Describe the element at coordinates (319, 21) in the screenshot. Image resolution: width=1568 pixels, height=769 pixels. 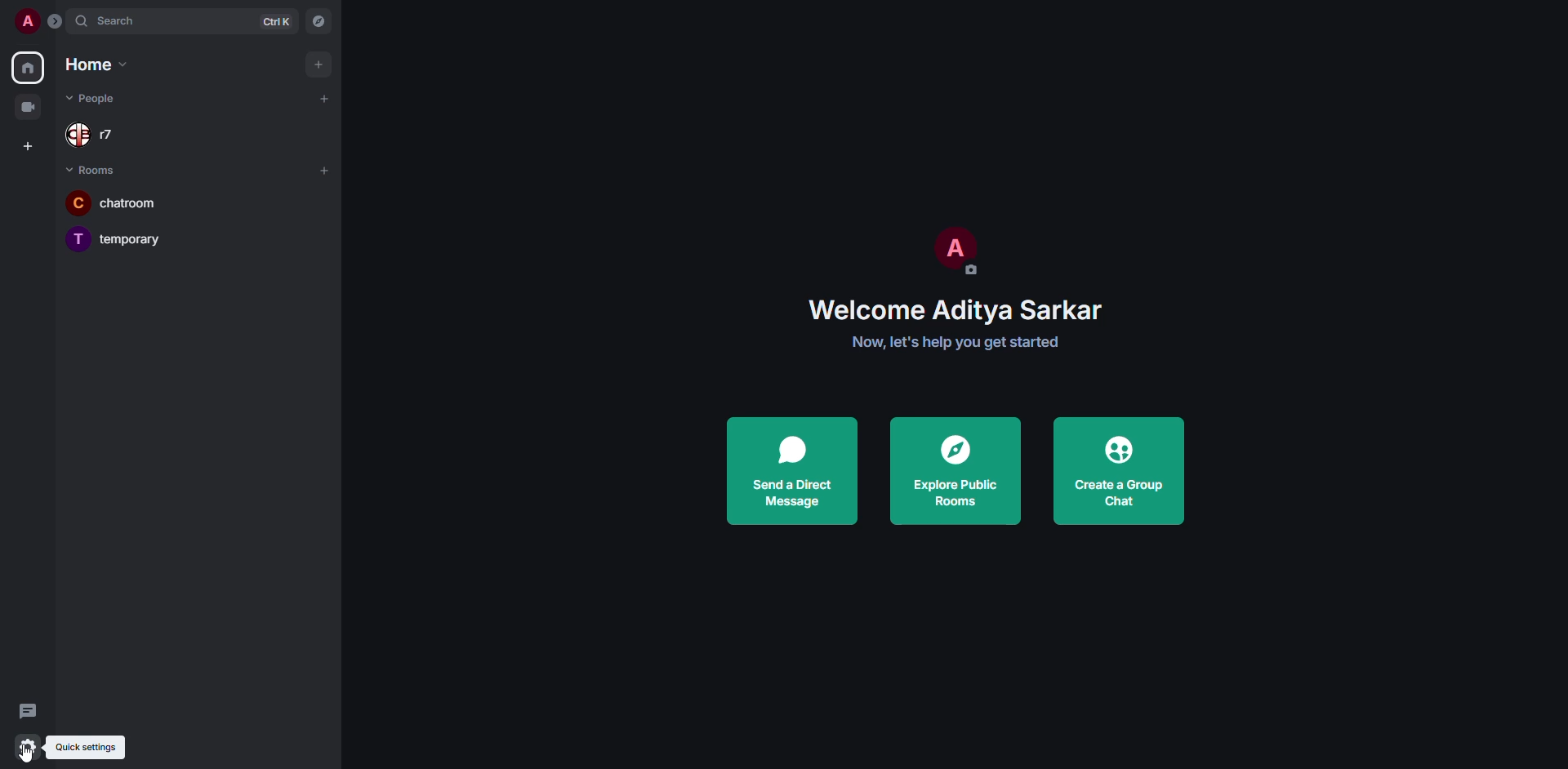
I see `navigator` at that location.